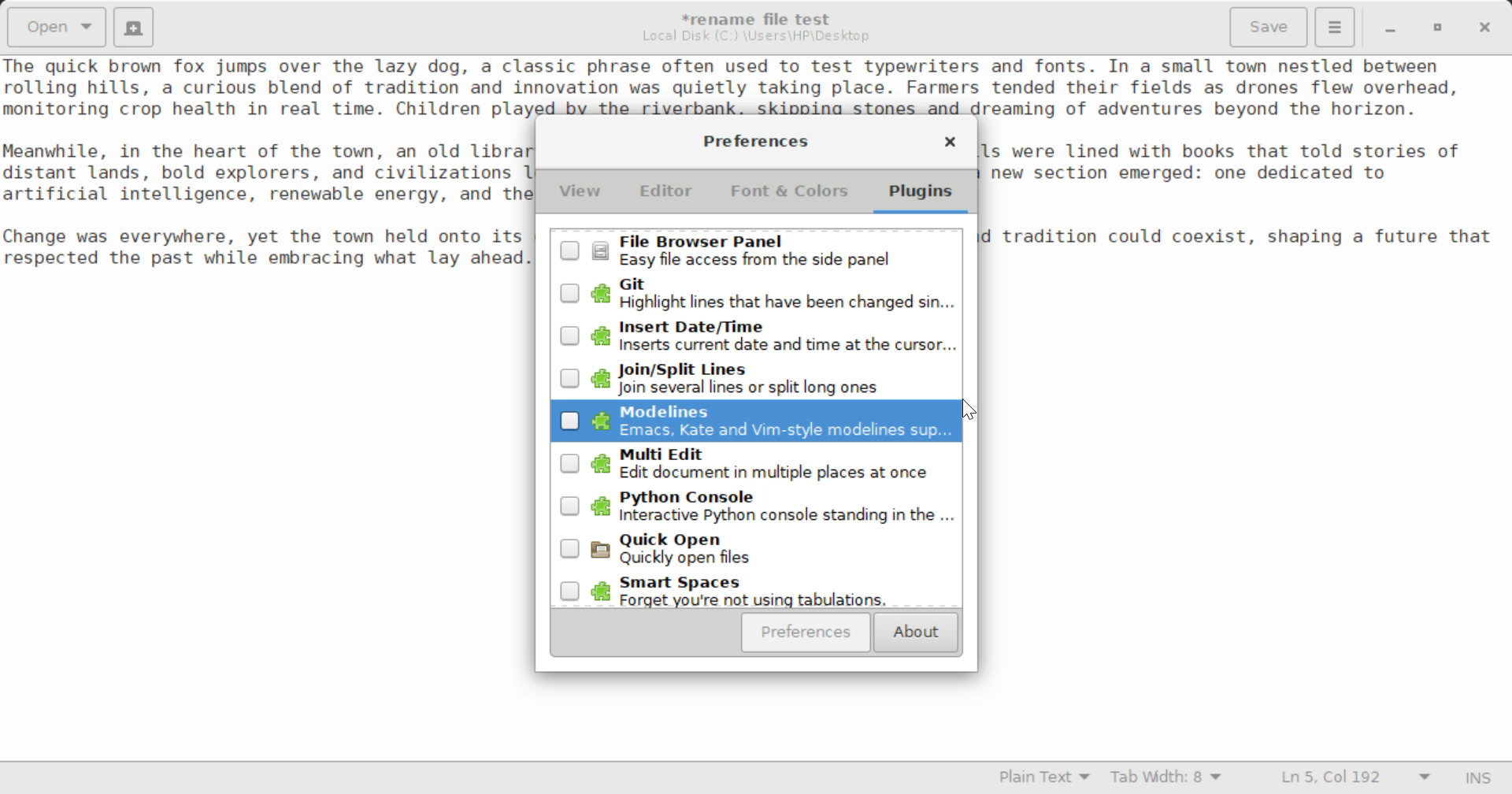  What do you see at coordinates (754, 466) in the screenshot?
I see `Unselected Multi Edit Plugin` at bounding box center [754, 466].